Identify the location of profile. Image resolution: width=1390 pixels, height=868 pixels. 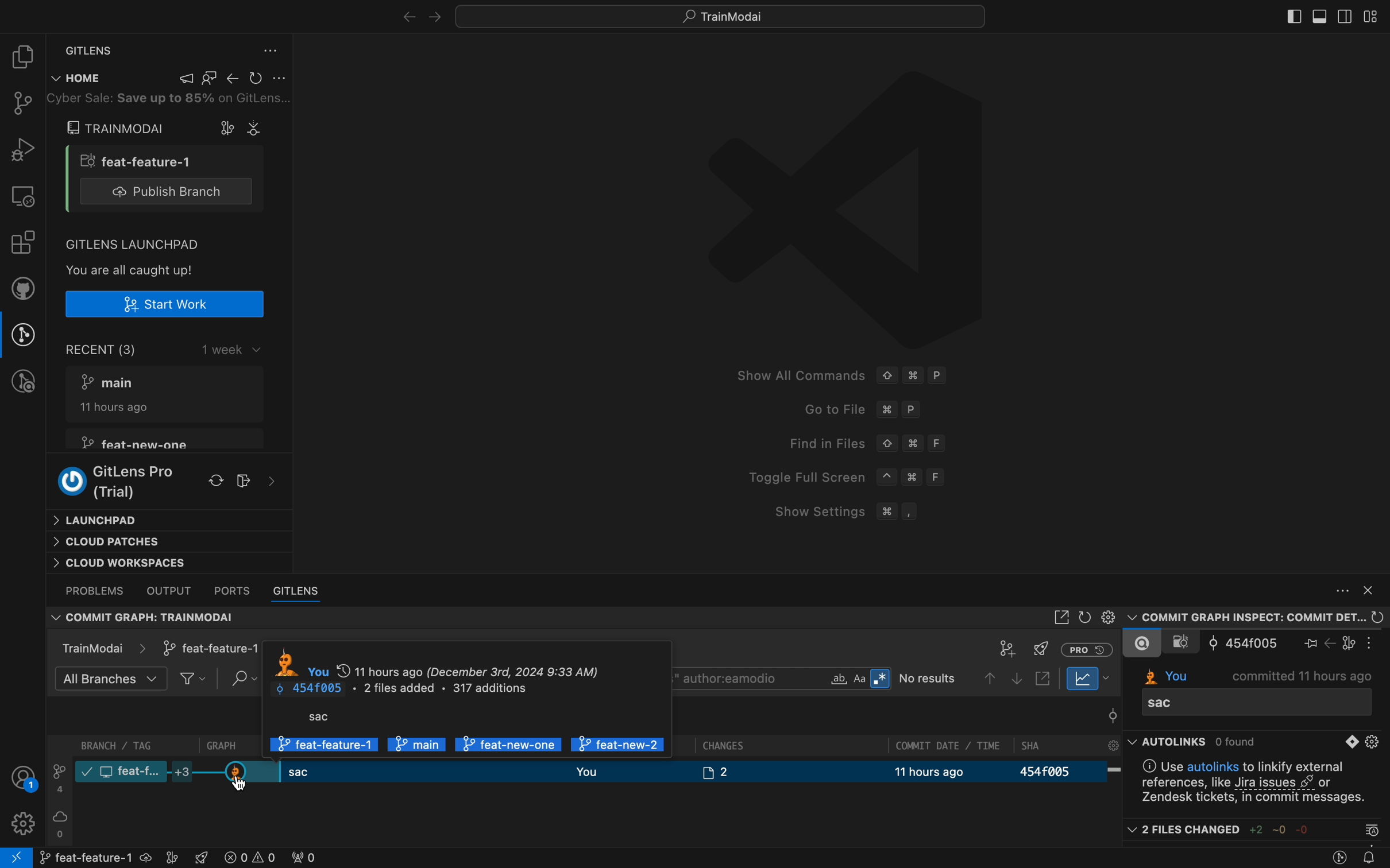
(25, 780).